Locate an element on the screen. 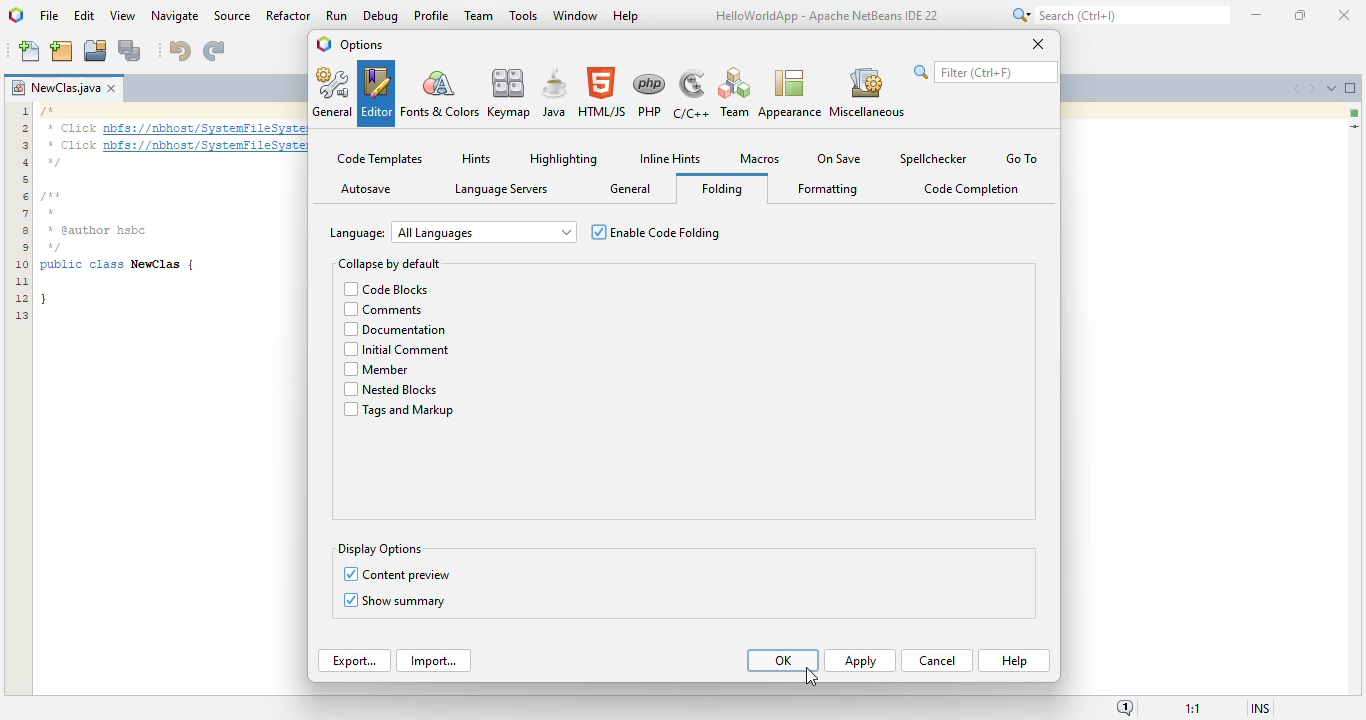  initial comment is located at coordinates (397, 352).